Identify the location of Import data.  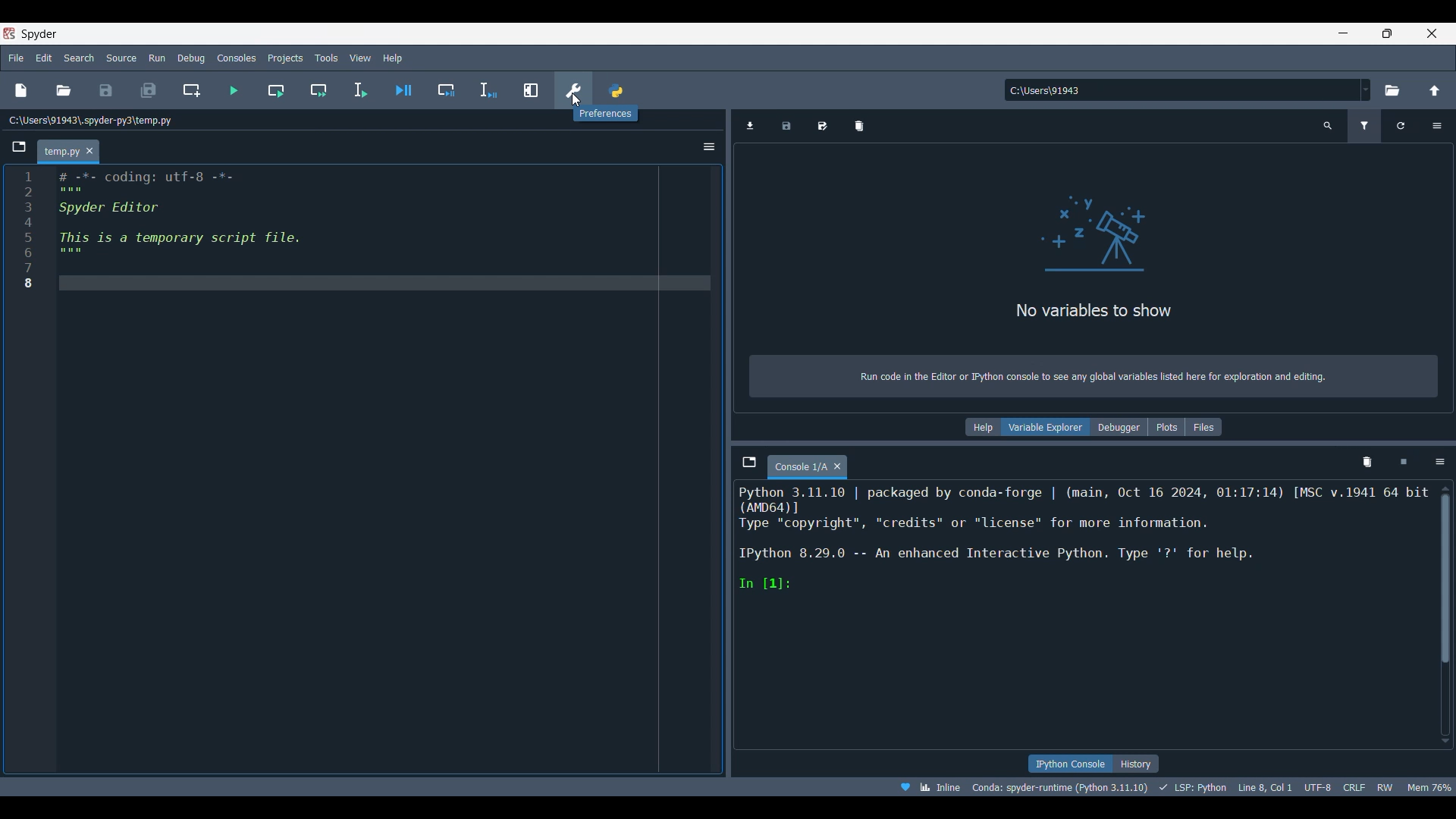
(751, 126).